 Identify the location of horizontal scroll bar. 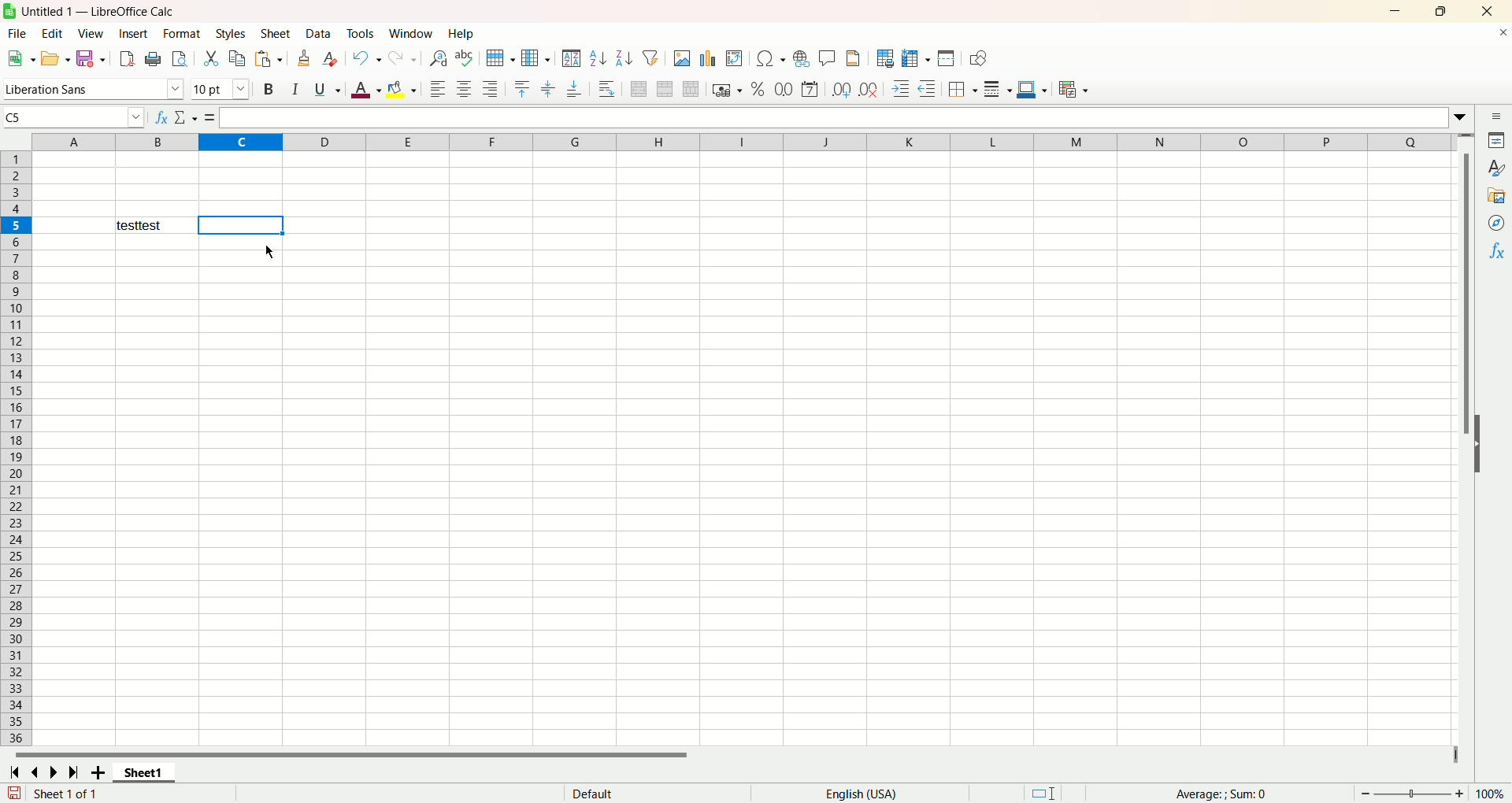
(738, 756).